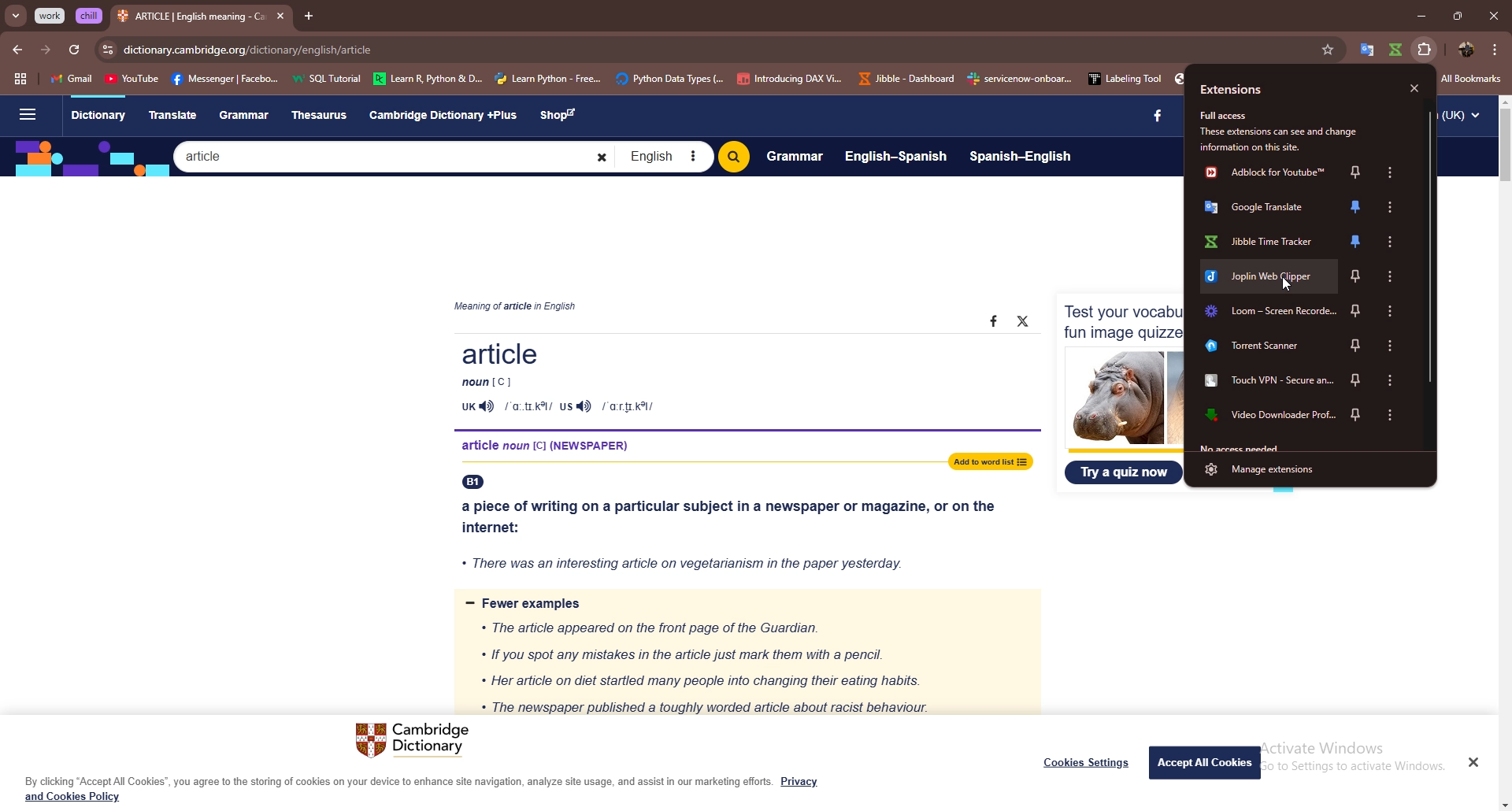  Describe the element at coordinates (1206, 761) in the screenshot. I see ` Accept All Cookies` at that location.